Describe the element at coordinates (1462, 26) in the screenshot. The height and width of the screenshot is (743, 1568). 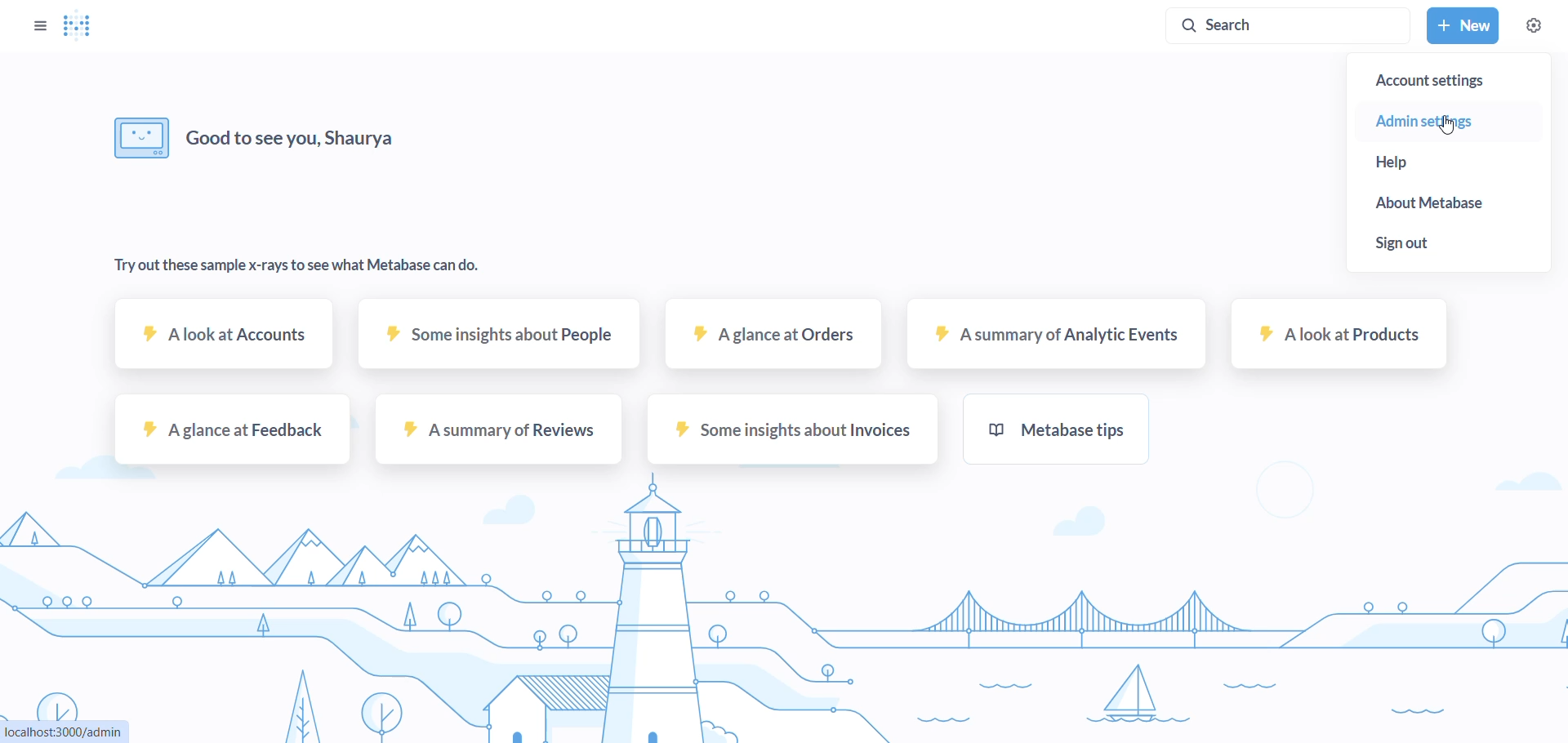
I see `new button` at that location.